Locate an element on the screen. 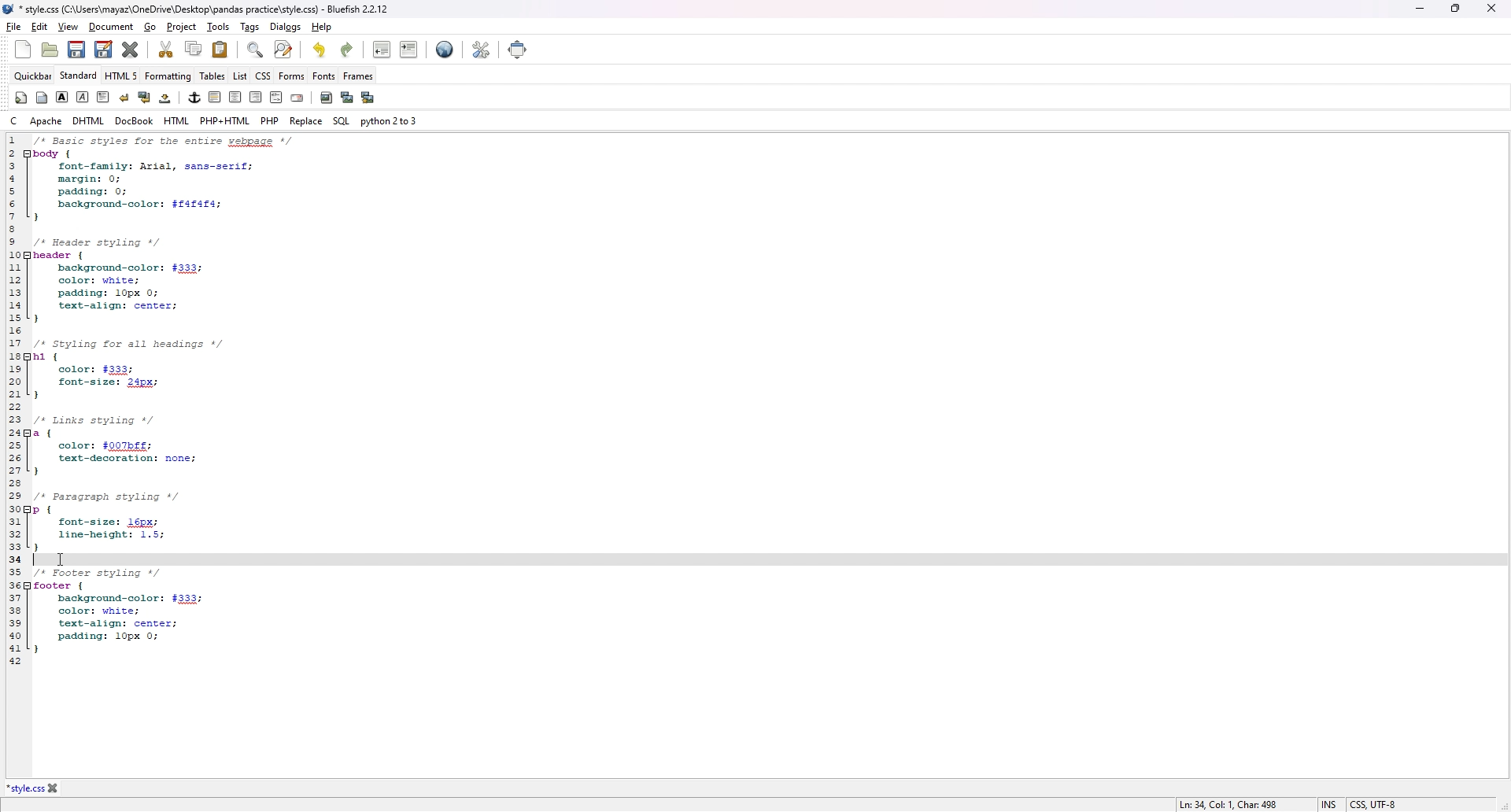 This screenshot has height=812, width=1511. close current tab is located at coordinates (131, 50).